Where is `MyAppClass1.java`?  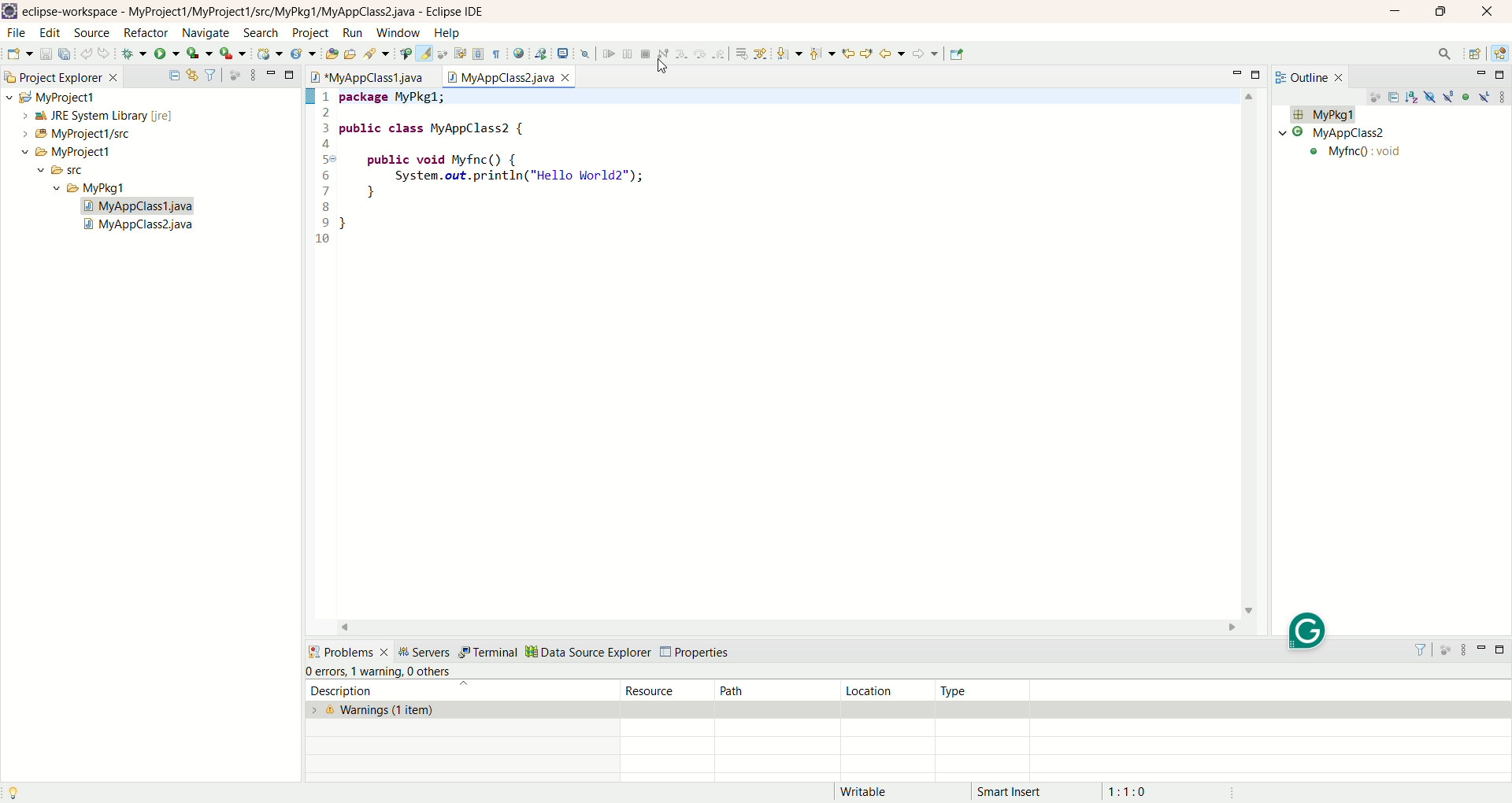
MyAppClass1.java is located at coordinates (139, 206).